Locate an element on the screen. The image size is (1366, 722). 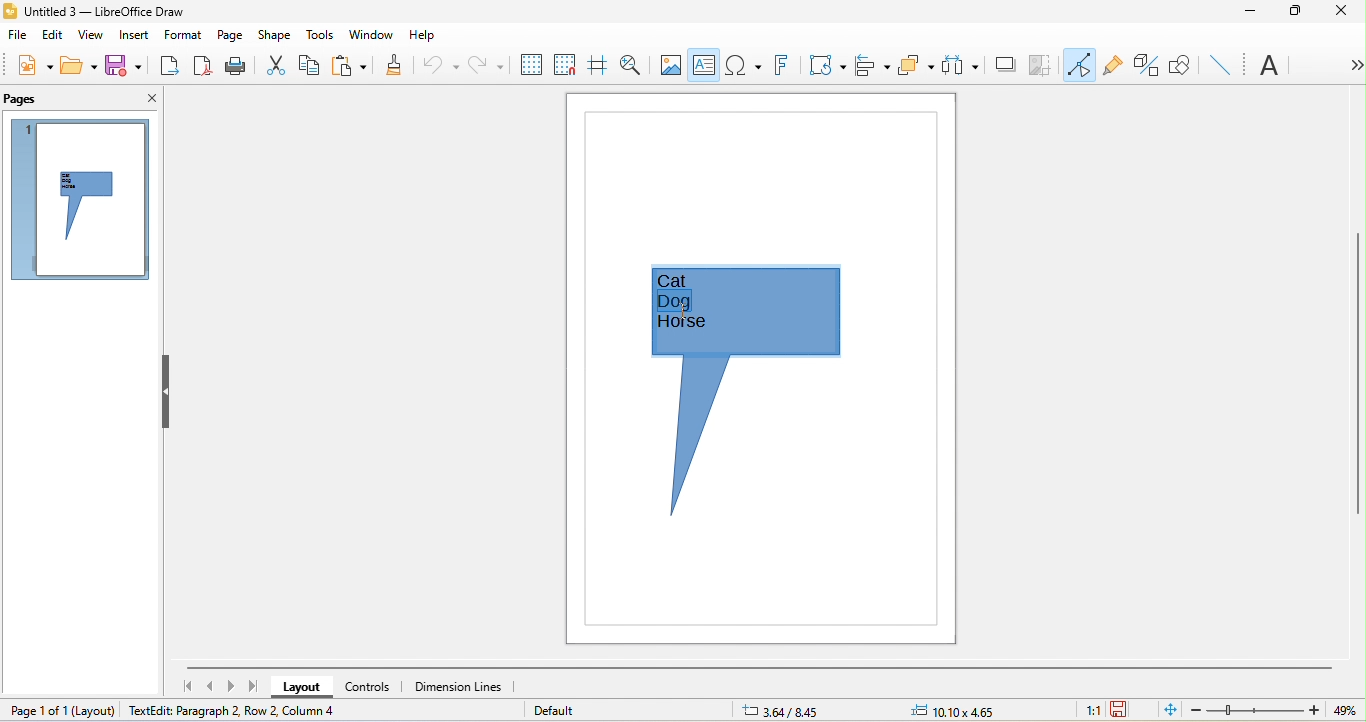
hide is located at coordinates (163, 392).